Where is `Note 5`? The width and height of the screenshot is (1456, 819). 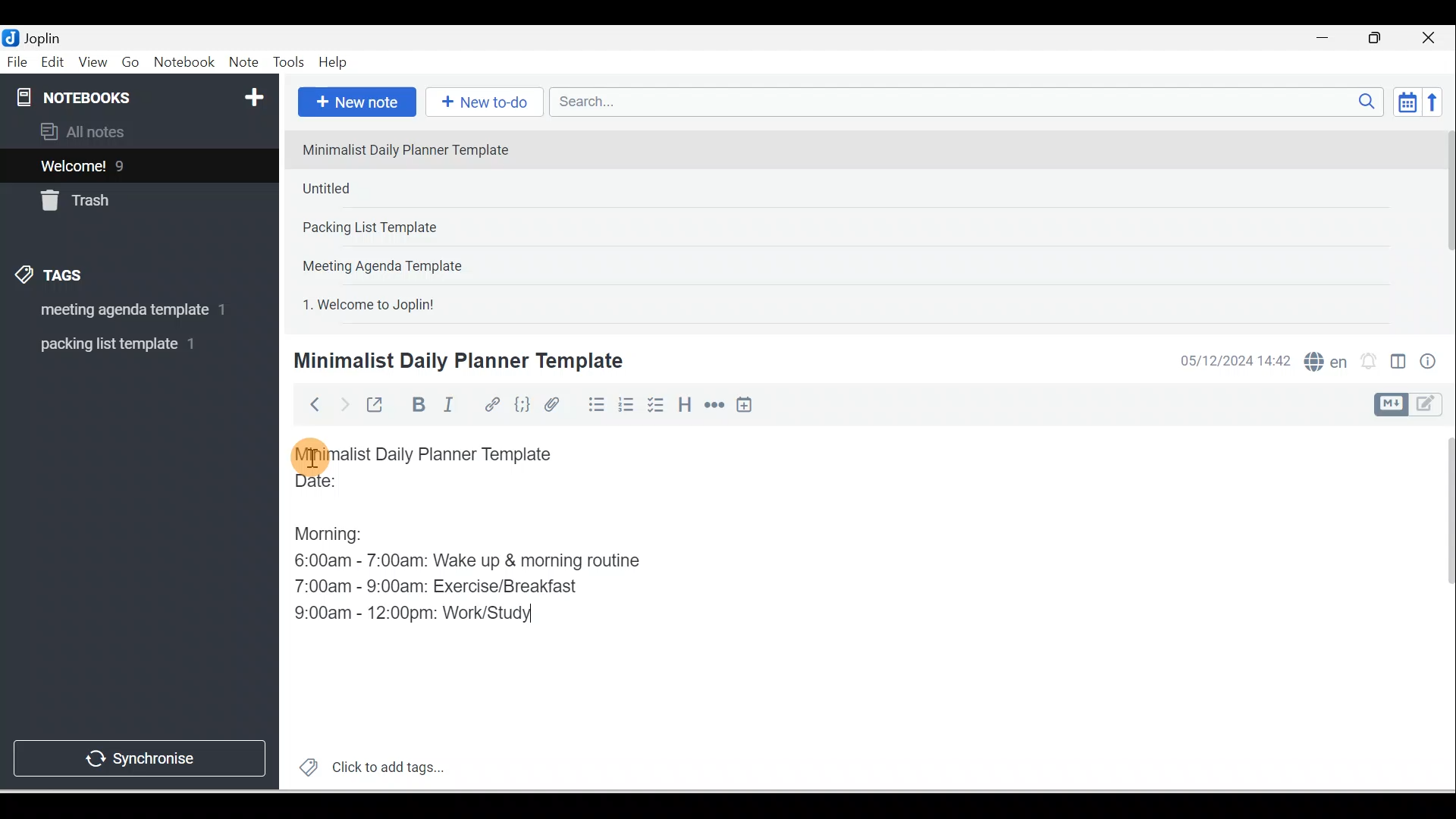
Note 5 is located at coordinates (424, 303).